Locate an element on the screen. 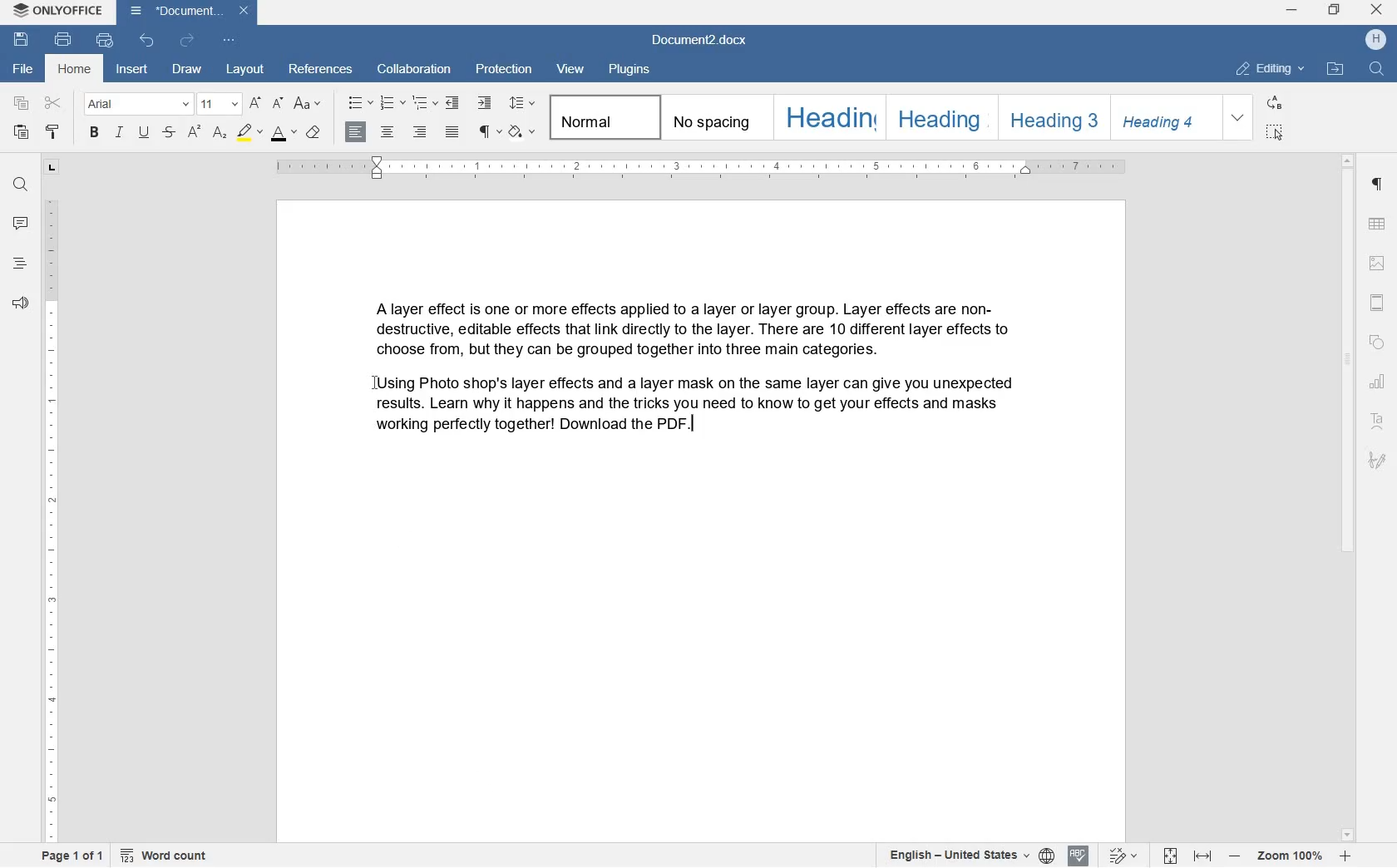  NUMBERING is located at coordinates (393, 102).